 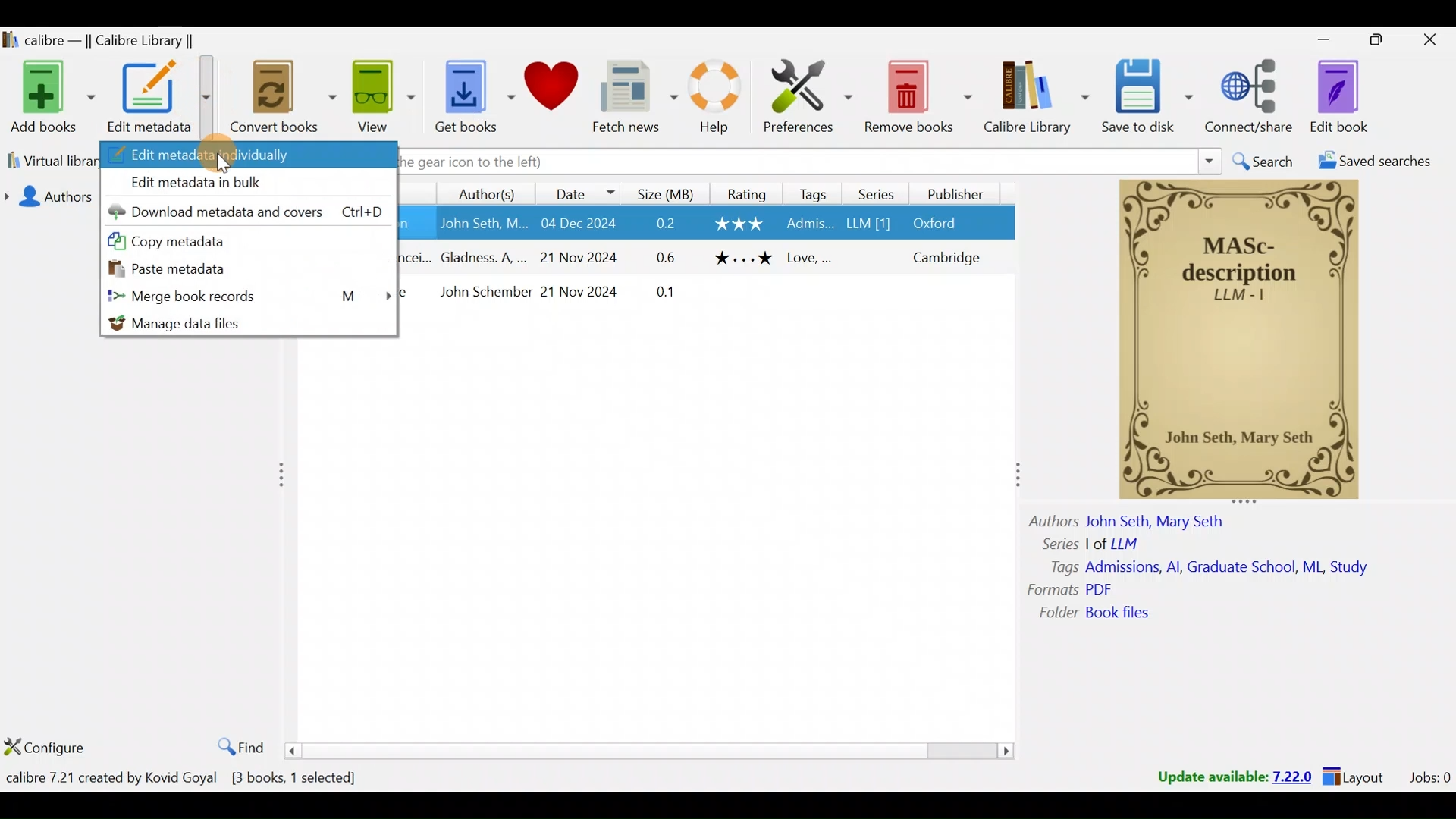 What do you see at coordinates (580, 192) in the screenshot?
I see `Date` at bounding box center [580, 192].